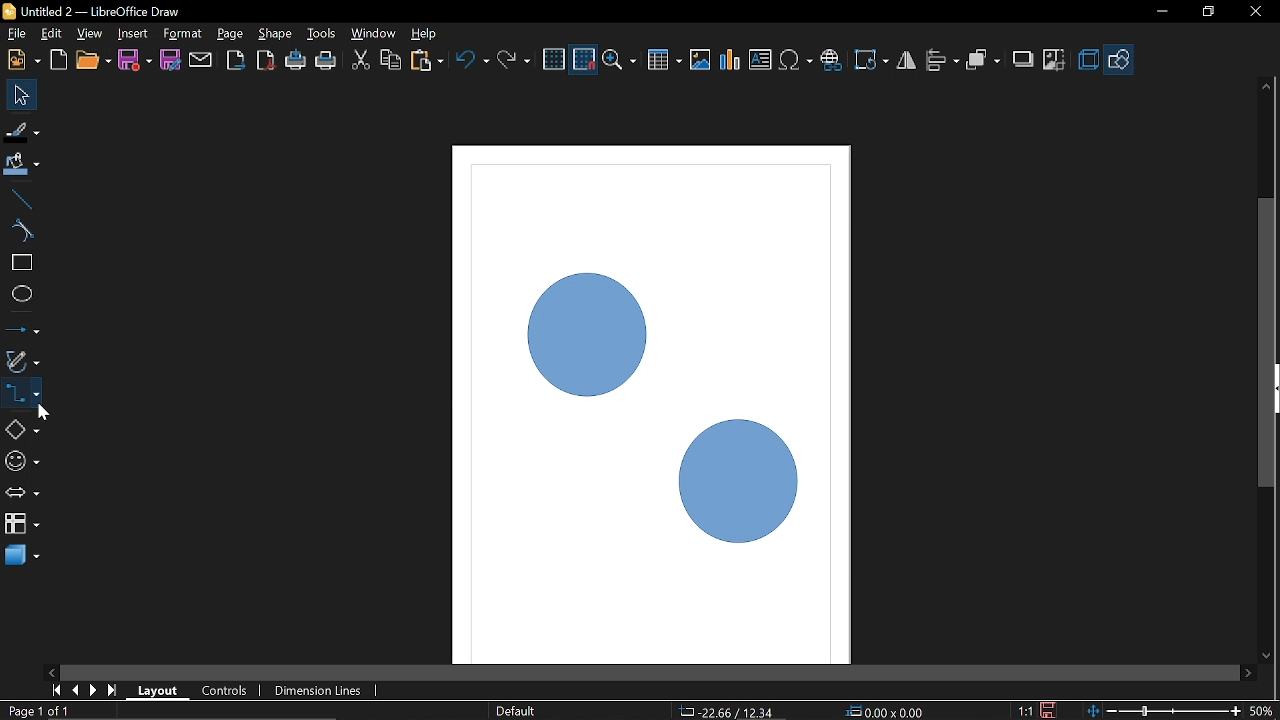 This screenshot has width=1280, height=720. What do you see at coordinates (1206, 14) in the screenshot?
I see `Restore down` at bounding box center [1206, 14].